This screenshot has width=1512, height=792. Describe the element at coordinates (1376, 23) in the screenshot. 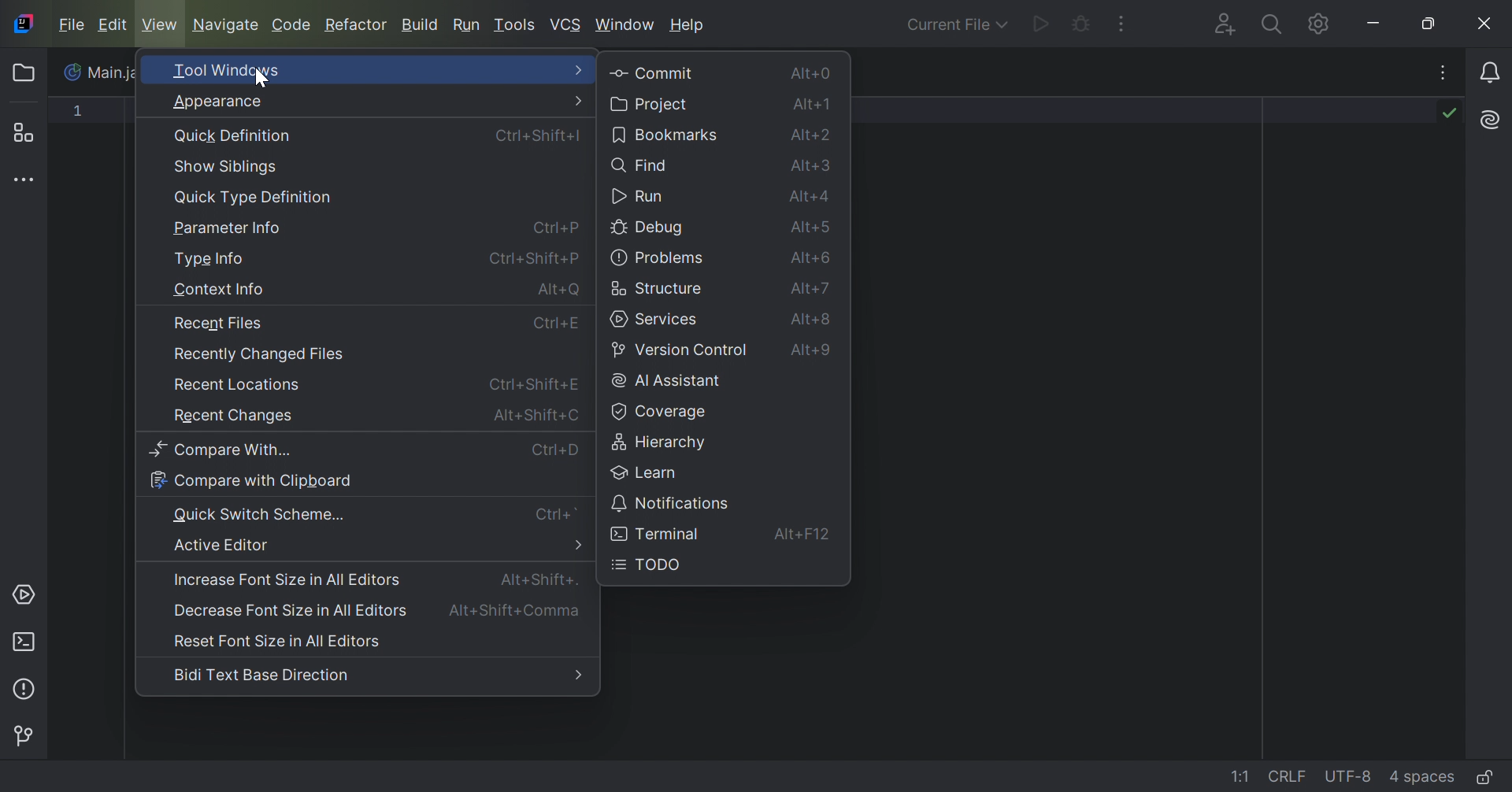

I see `Minimize` at that location.